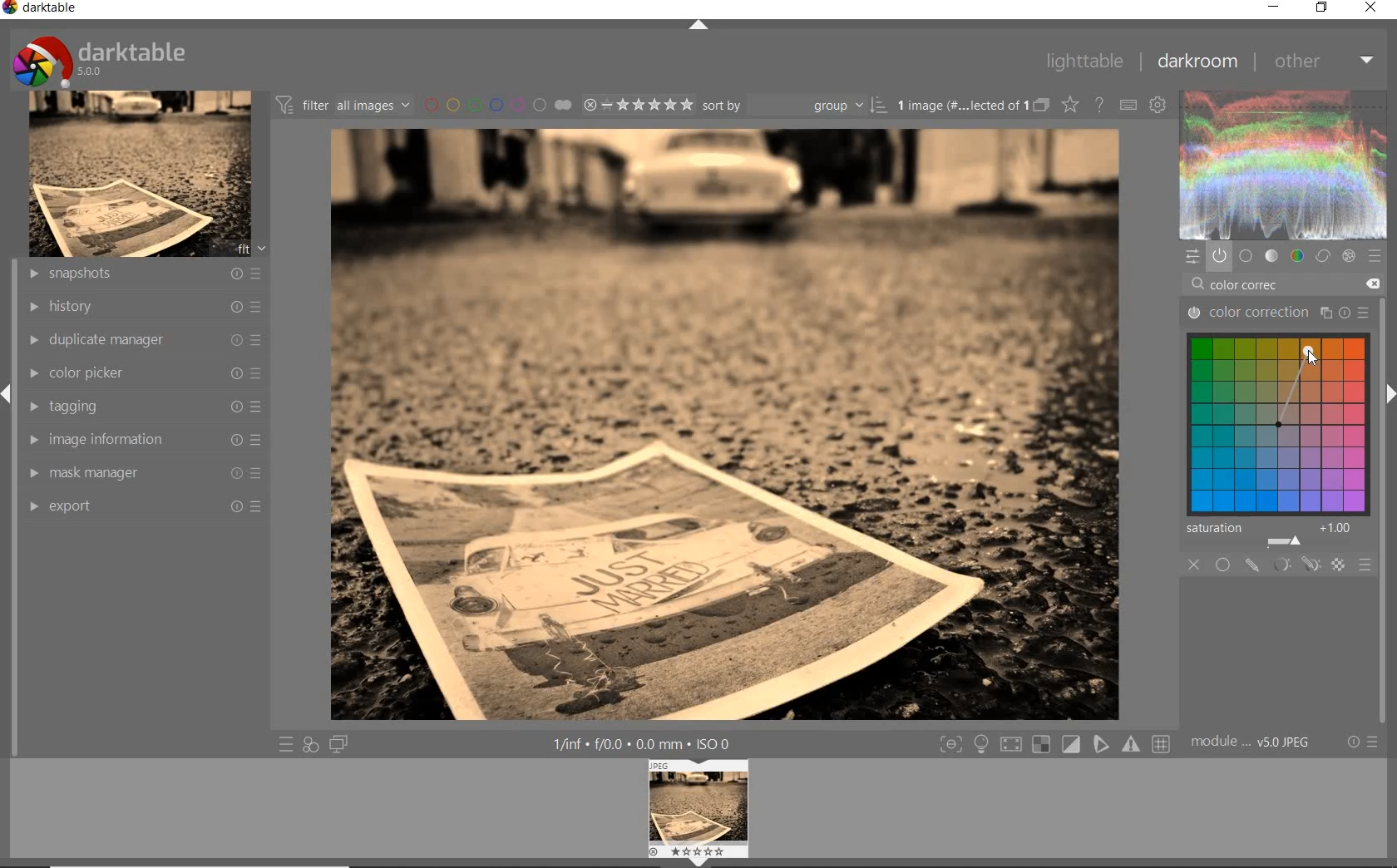 The image size is (1397, 868). What do you see at coordinates (101, 60) in the screenshot?
I see `darktable` at bounding box center [101, 60].